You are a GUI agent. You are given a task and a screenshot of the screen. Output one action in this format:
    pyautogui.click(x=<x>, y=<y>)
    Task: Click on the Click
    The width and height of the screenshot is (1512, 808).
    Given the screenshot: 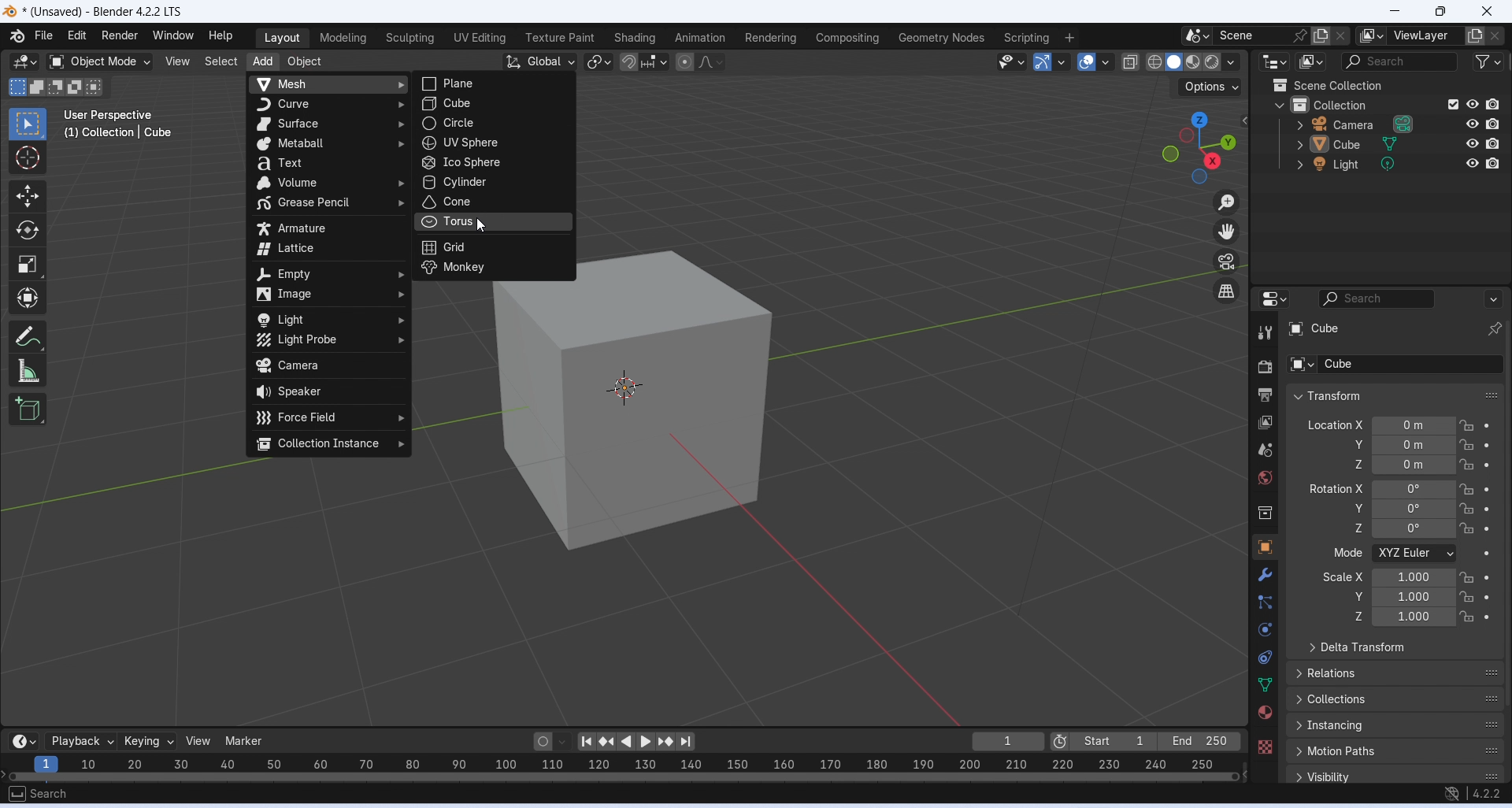 What is the action you would take?
    pyautogui.click(x=1200, y=147)
    